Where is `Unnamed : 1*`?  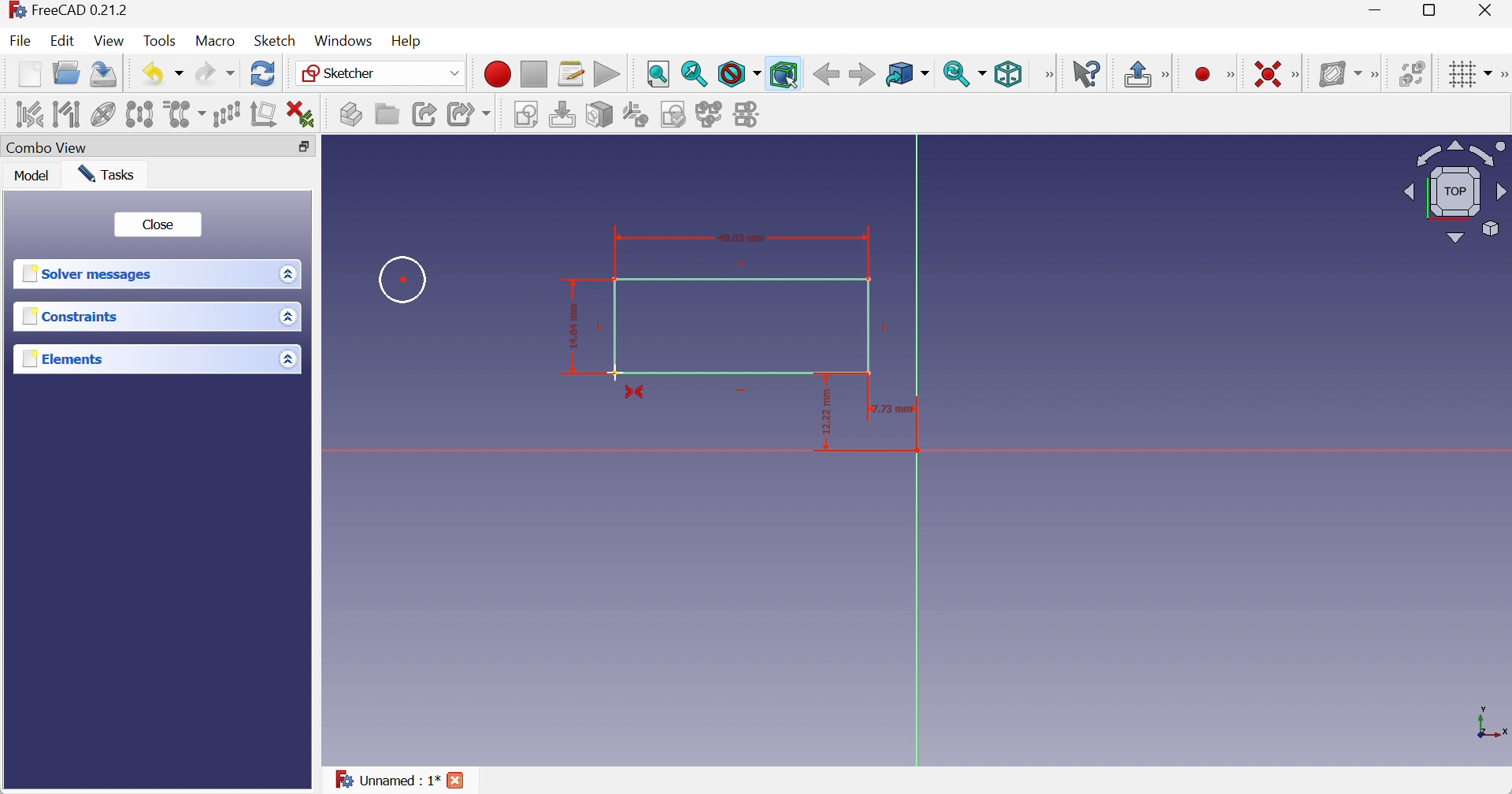 Unnamed : 1* is located at coordinates (387, 777).